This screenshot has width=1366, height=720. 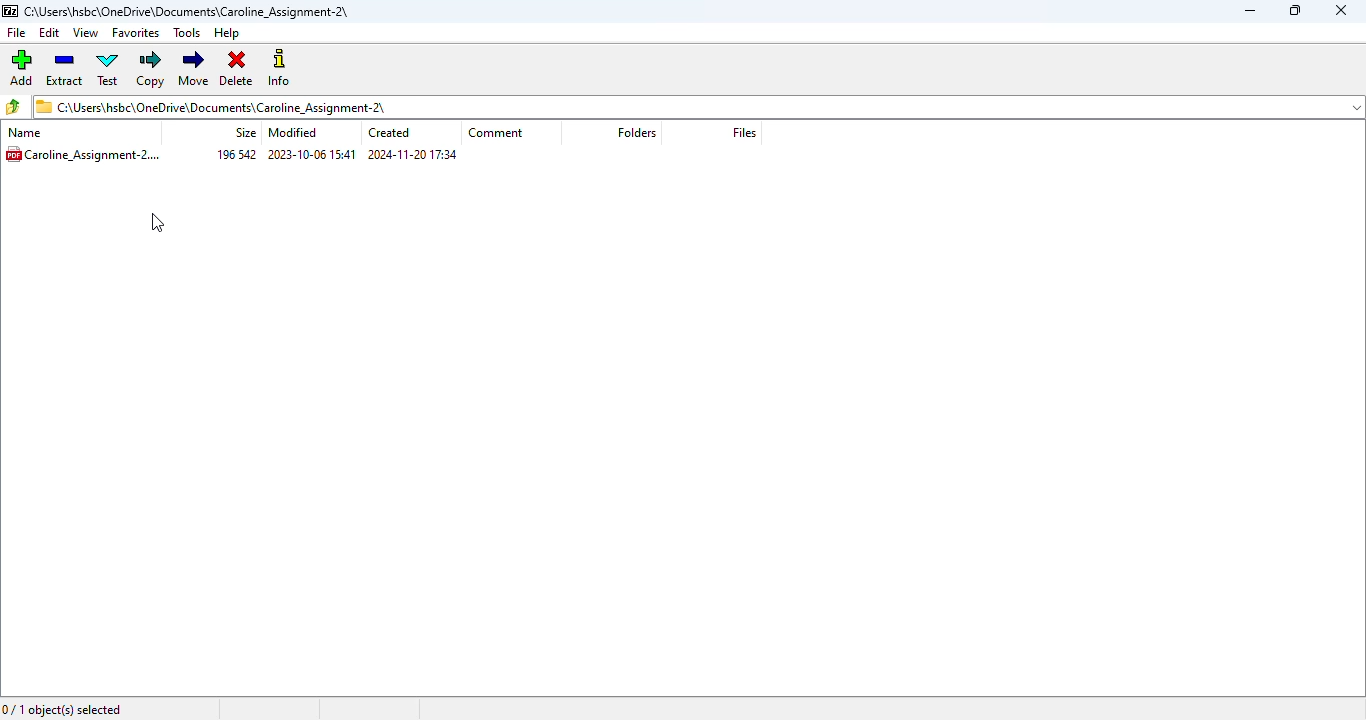 What do you see at coordinates (195, 69) in the screenshot?
I see `move` at bounding box center [195, 69].